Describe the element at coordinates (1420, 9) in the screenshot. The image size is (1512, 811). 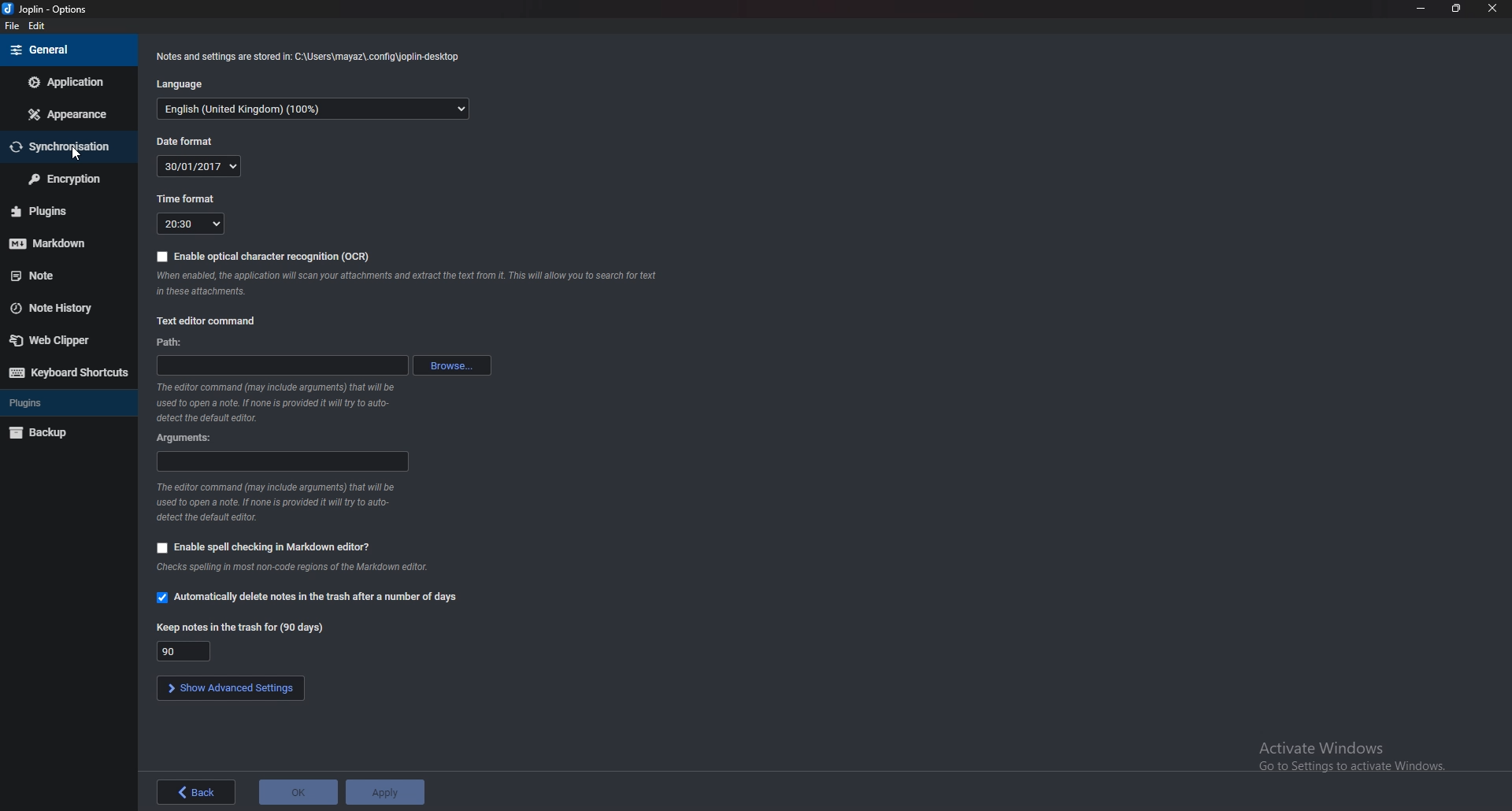
I see `minimize` at that location.